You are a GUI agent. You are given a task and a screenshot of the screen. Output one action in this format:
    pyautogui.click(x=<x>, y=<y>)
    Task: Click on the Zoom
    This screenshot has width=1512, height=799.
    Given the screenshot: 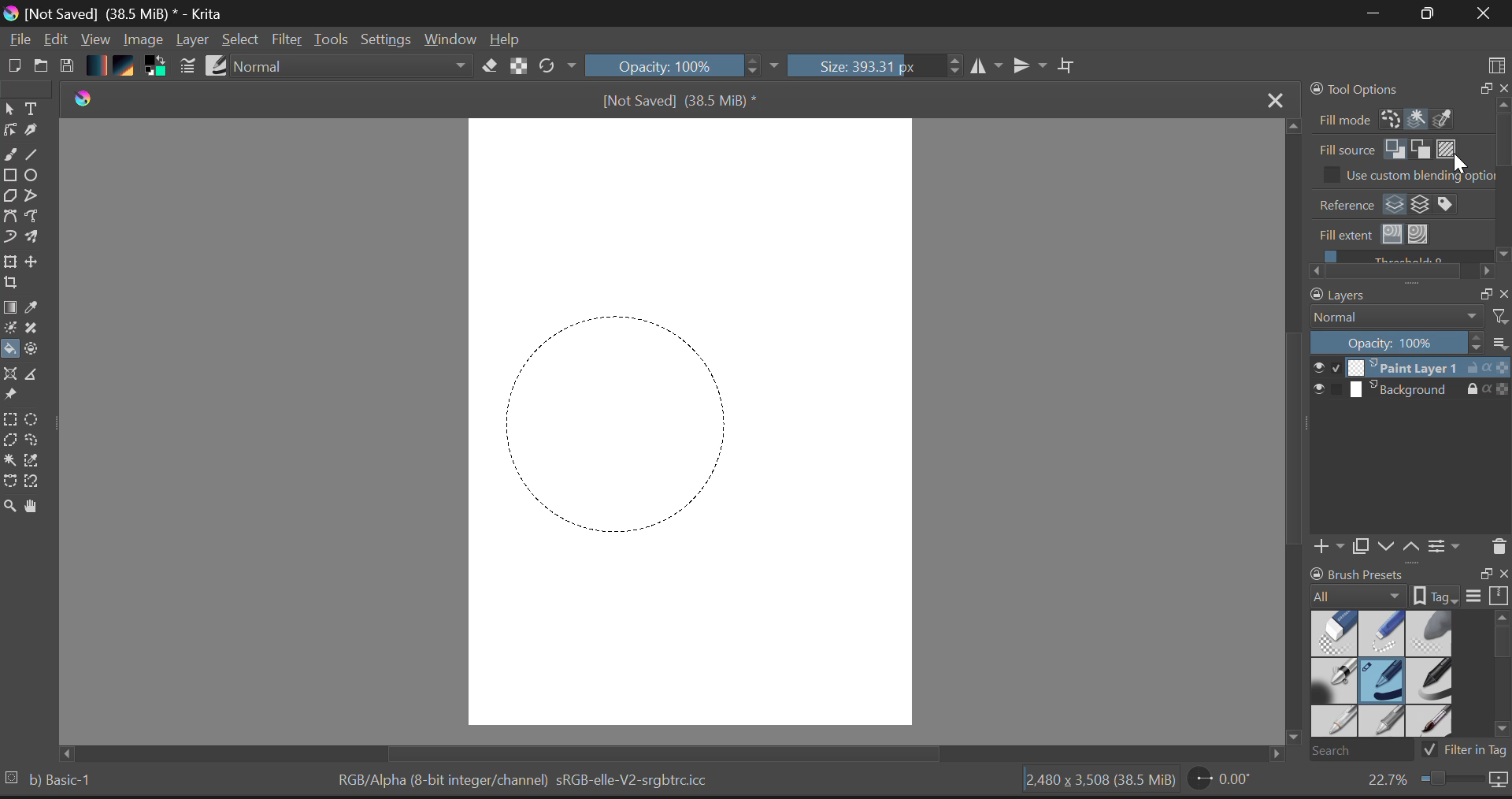 What is the action you would take?
    pyautogui.click(x=1435, y=783)
    